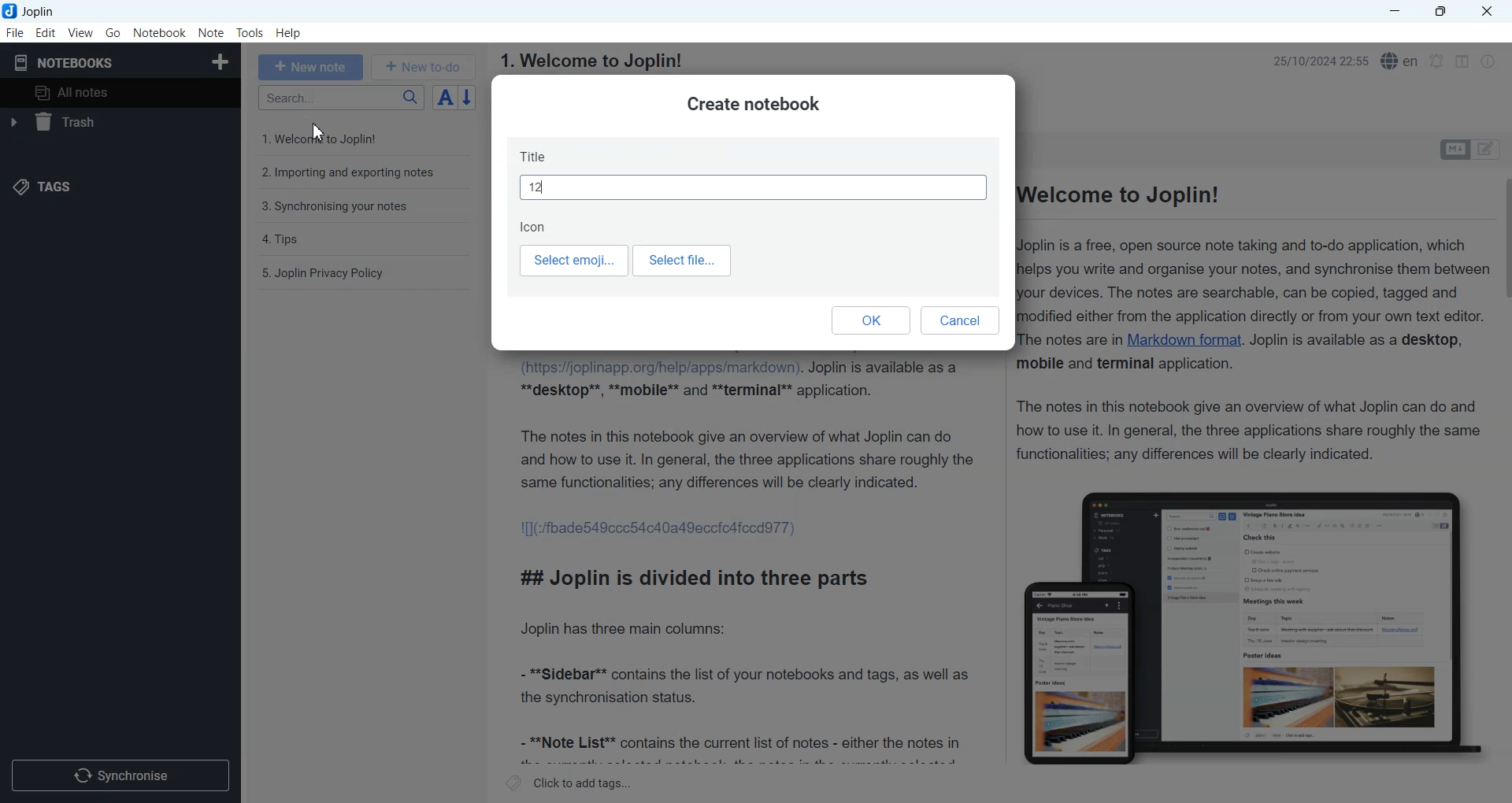  I want to click on Figure, so click(1254, 627).